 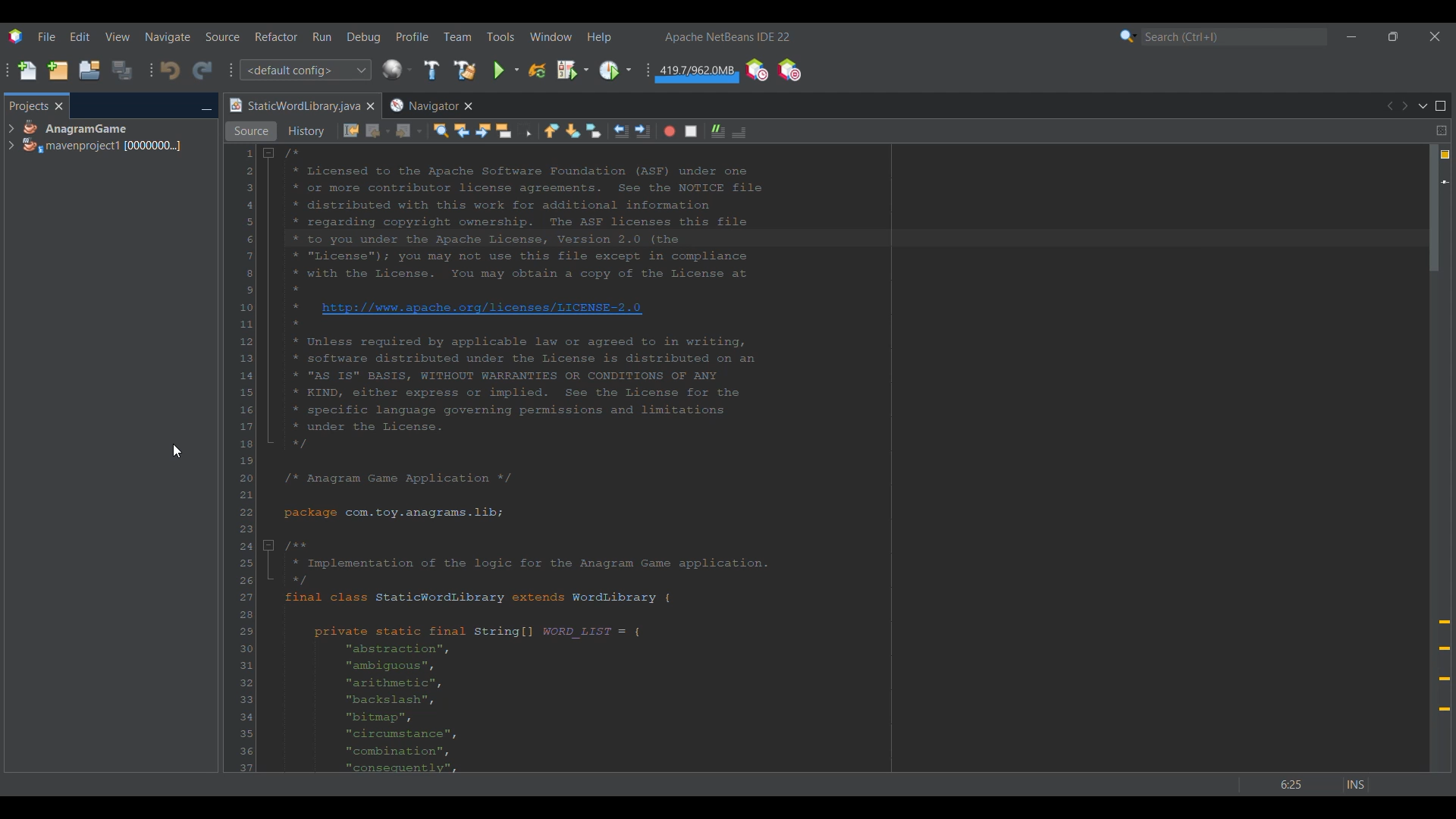 What do you see at coordinates (168, 37) in the screenshot?
I see `Naviagate menu` at bounding box center [168, 37].